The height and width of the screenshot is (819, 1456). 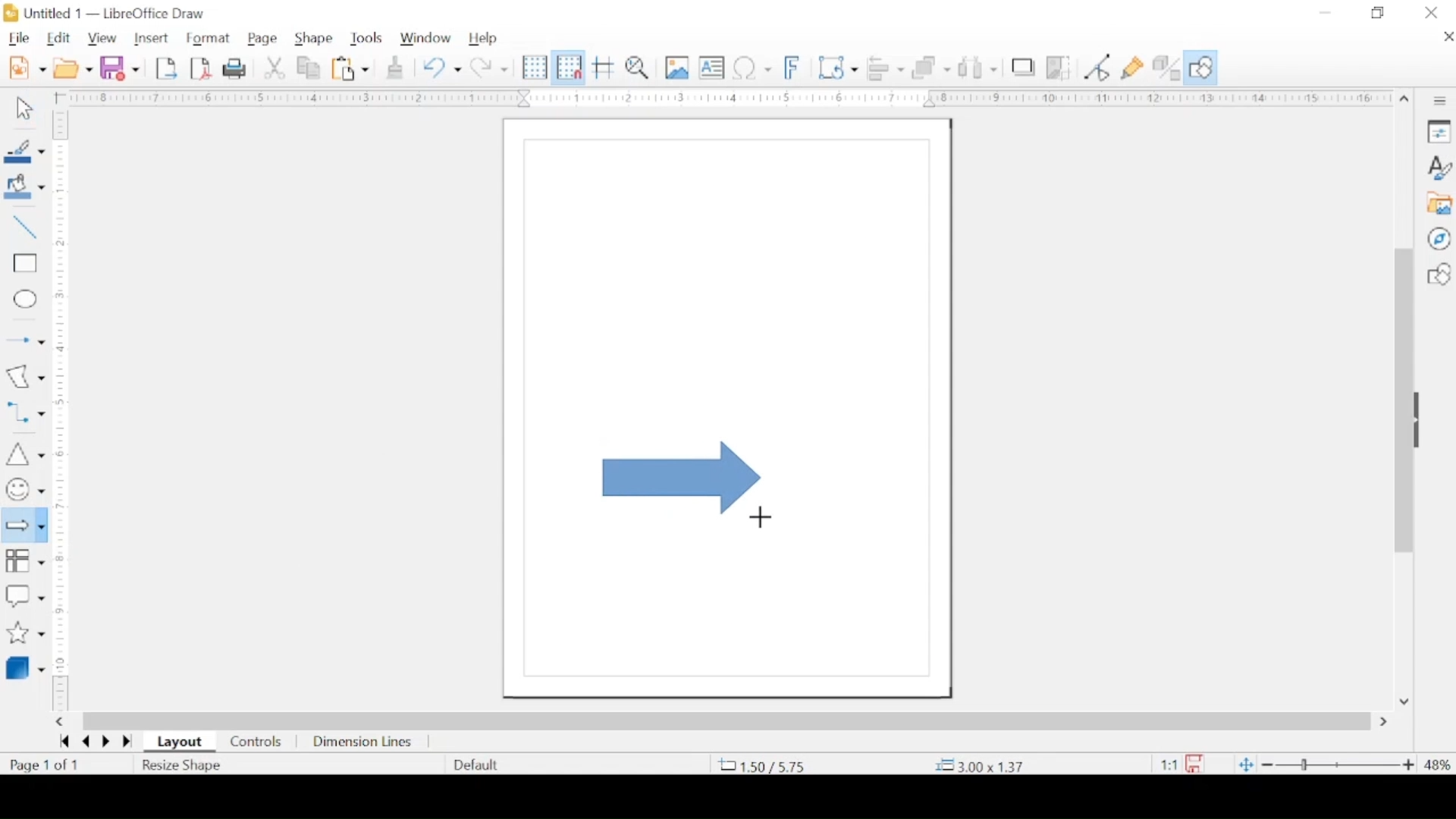 I want to click on transformations, so click(x=837, y=67).